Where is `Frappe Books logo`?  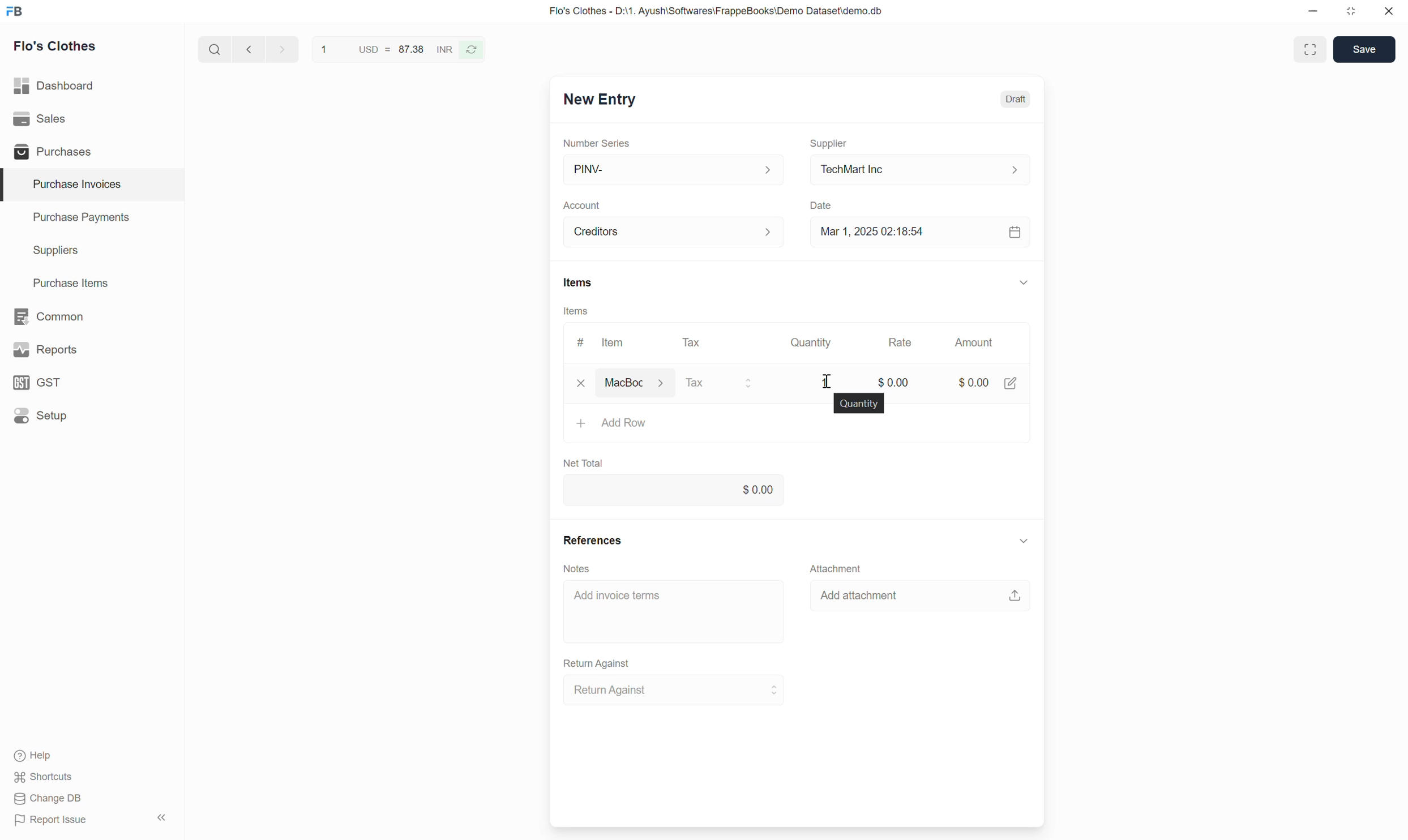
Frappe Books logo is located at coordinates (14, 11).